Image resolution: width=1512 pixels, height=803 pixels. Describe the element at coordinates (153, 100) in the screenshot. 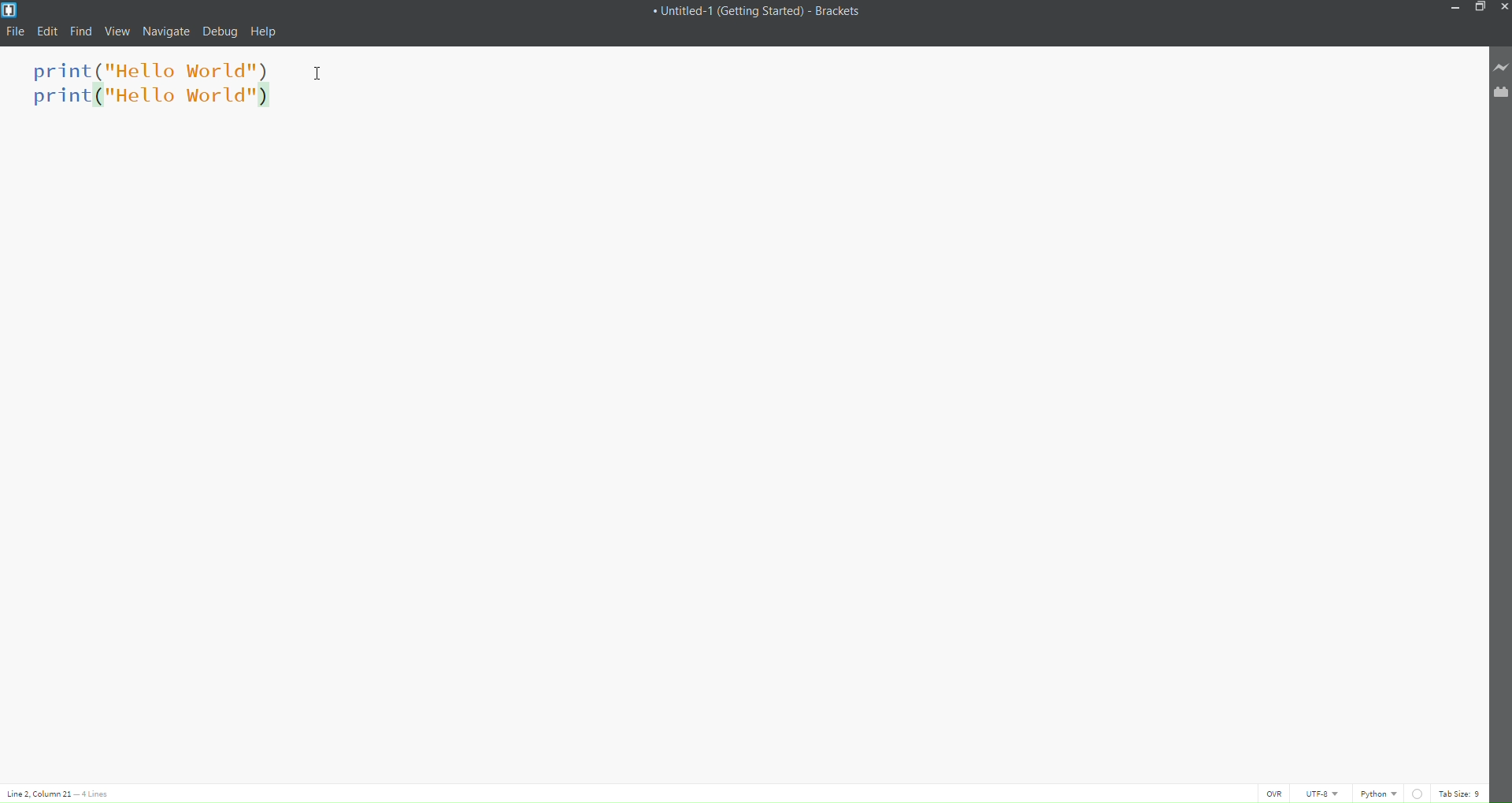

I see `duplicated line` at that location.